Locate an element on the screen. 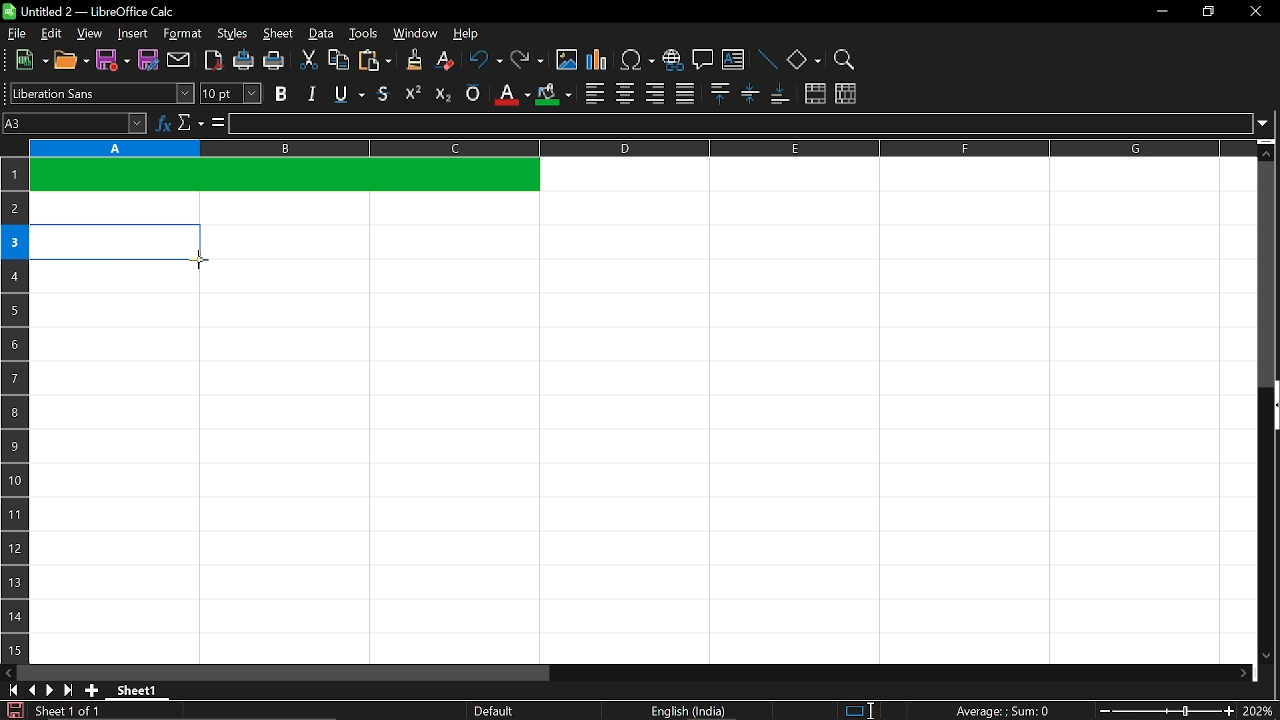  strikethrough is located at coordinates (384, 92).